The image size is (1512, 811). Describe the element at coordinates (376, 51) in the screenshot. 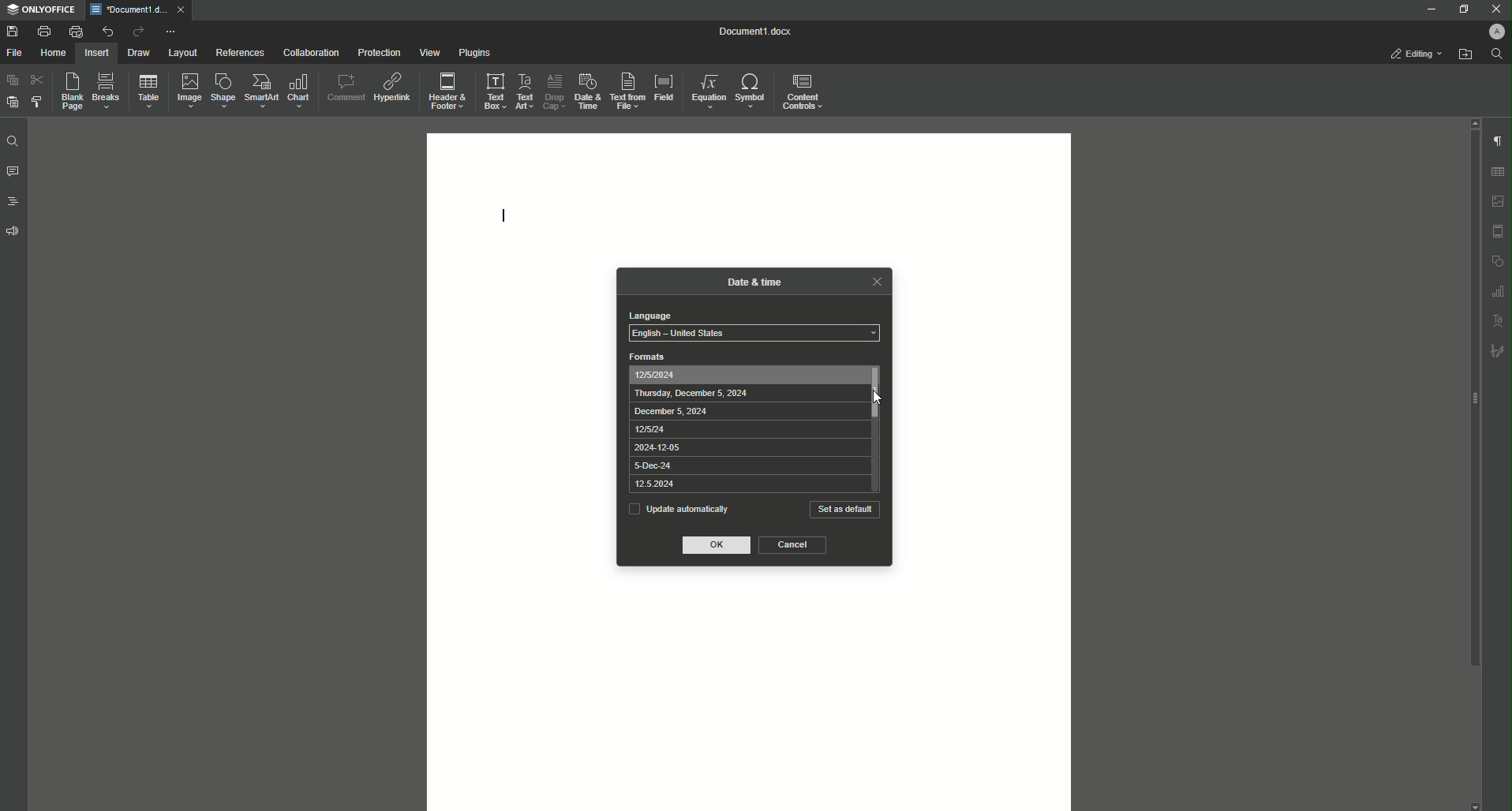

I see `Protection` at that location.